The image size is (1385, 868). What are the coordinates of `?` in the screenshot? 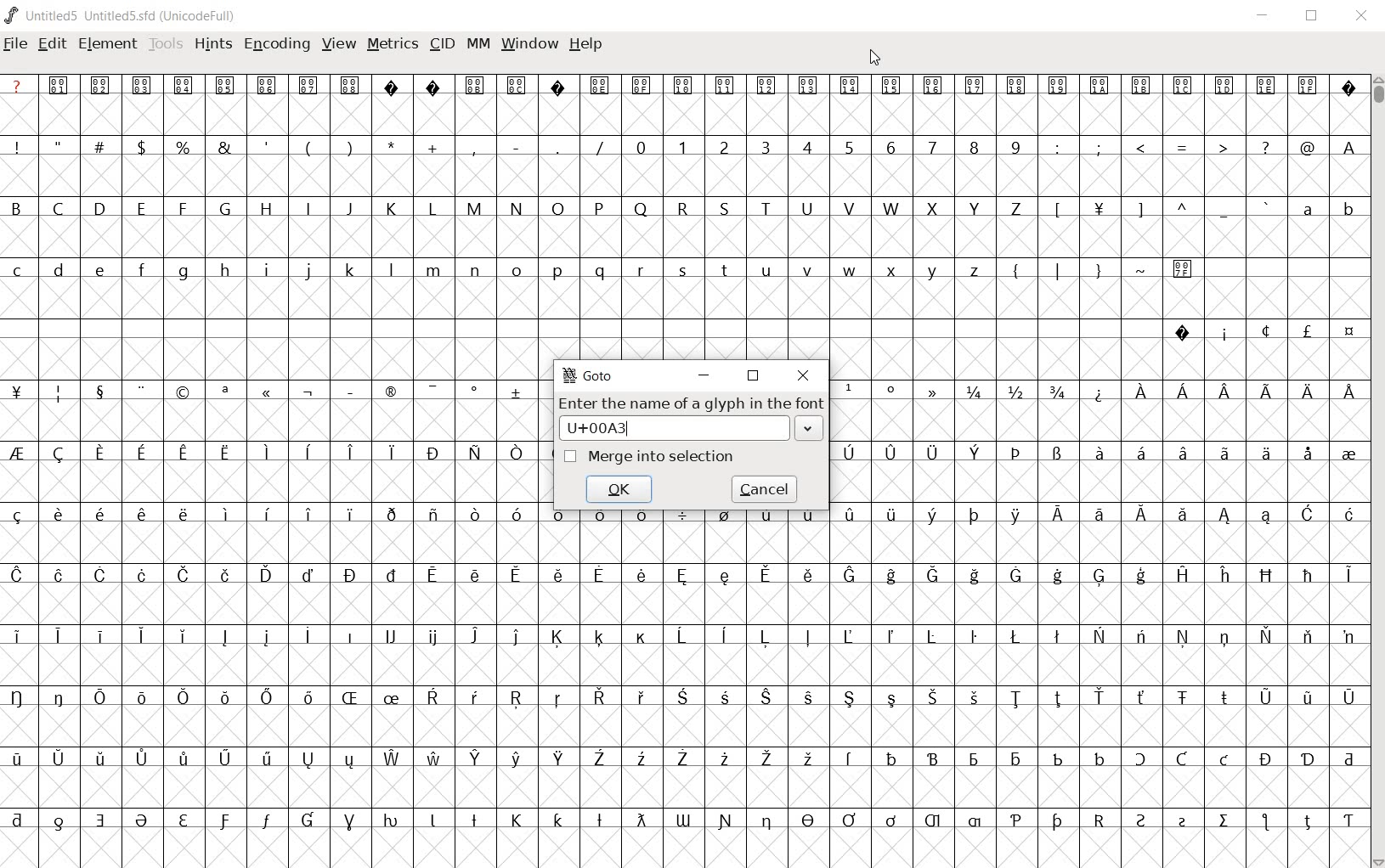 It's located at (1264, 148).